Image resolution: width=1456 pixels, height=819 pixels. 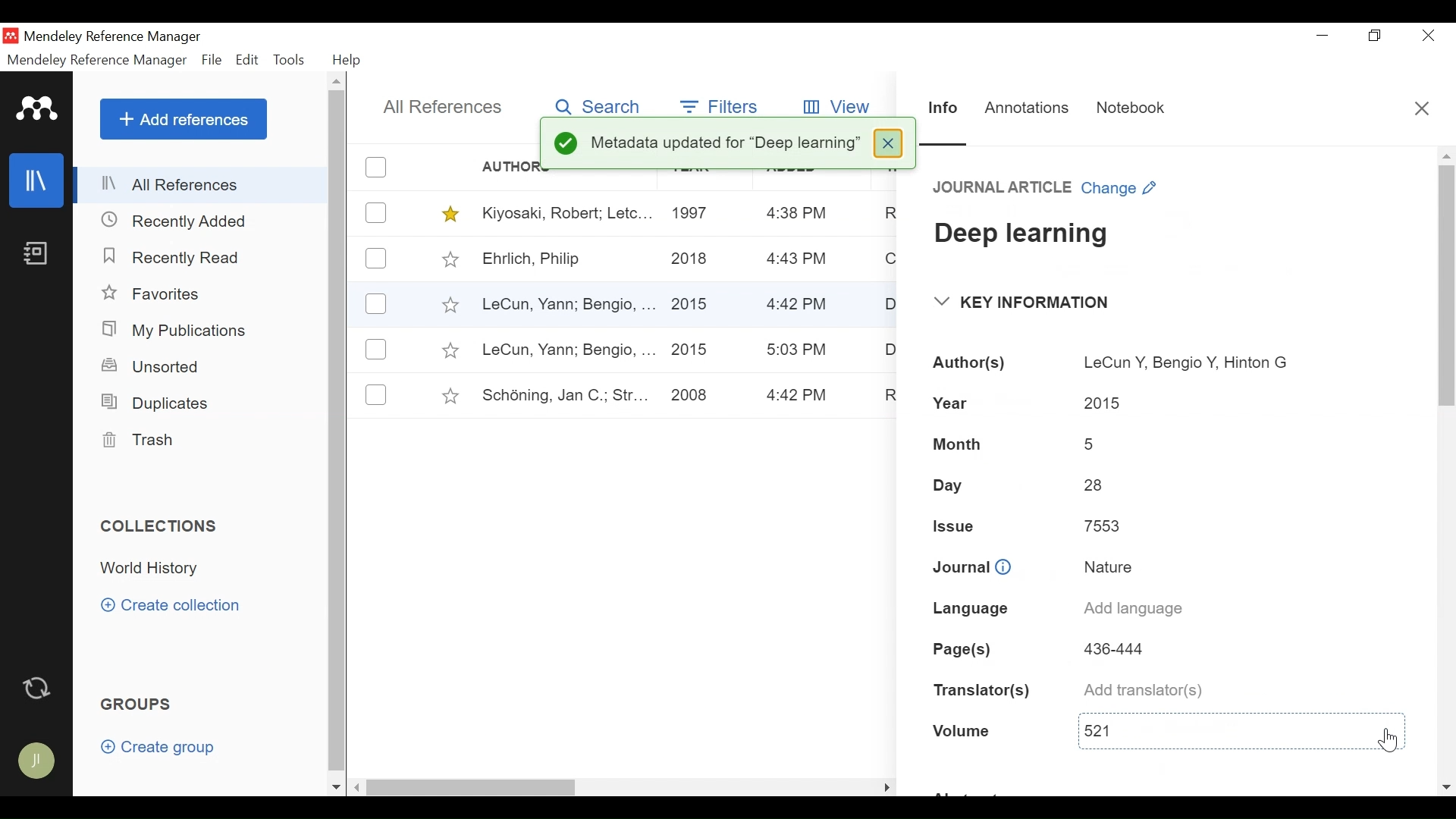 What do you see at coordinates (840, 104) in the screenshot?
I see `View` at bounding box center [840, 104].